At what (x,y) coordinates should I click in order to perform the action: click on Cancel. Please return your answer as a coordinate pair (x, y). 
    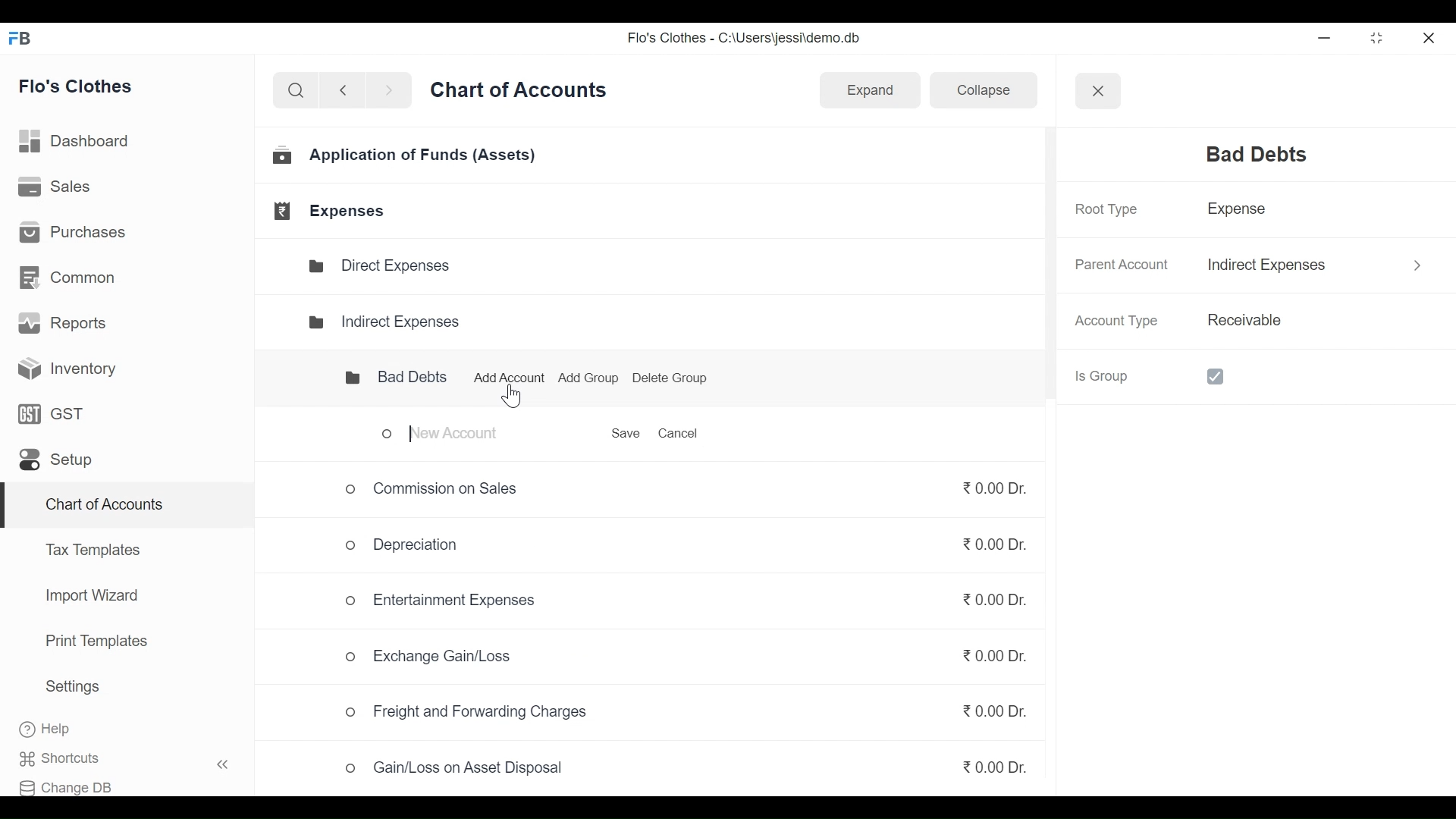
    Looking at the image, I should click on (684, 435).